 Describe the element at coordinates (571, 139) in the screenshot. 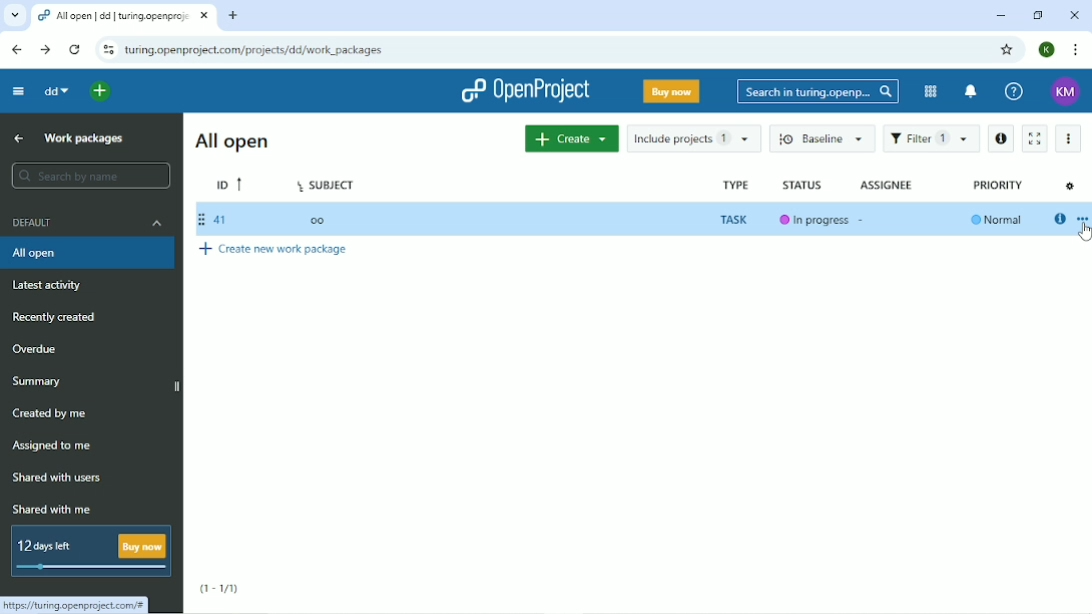

I see `Create` at that location.